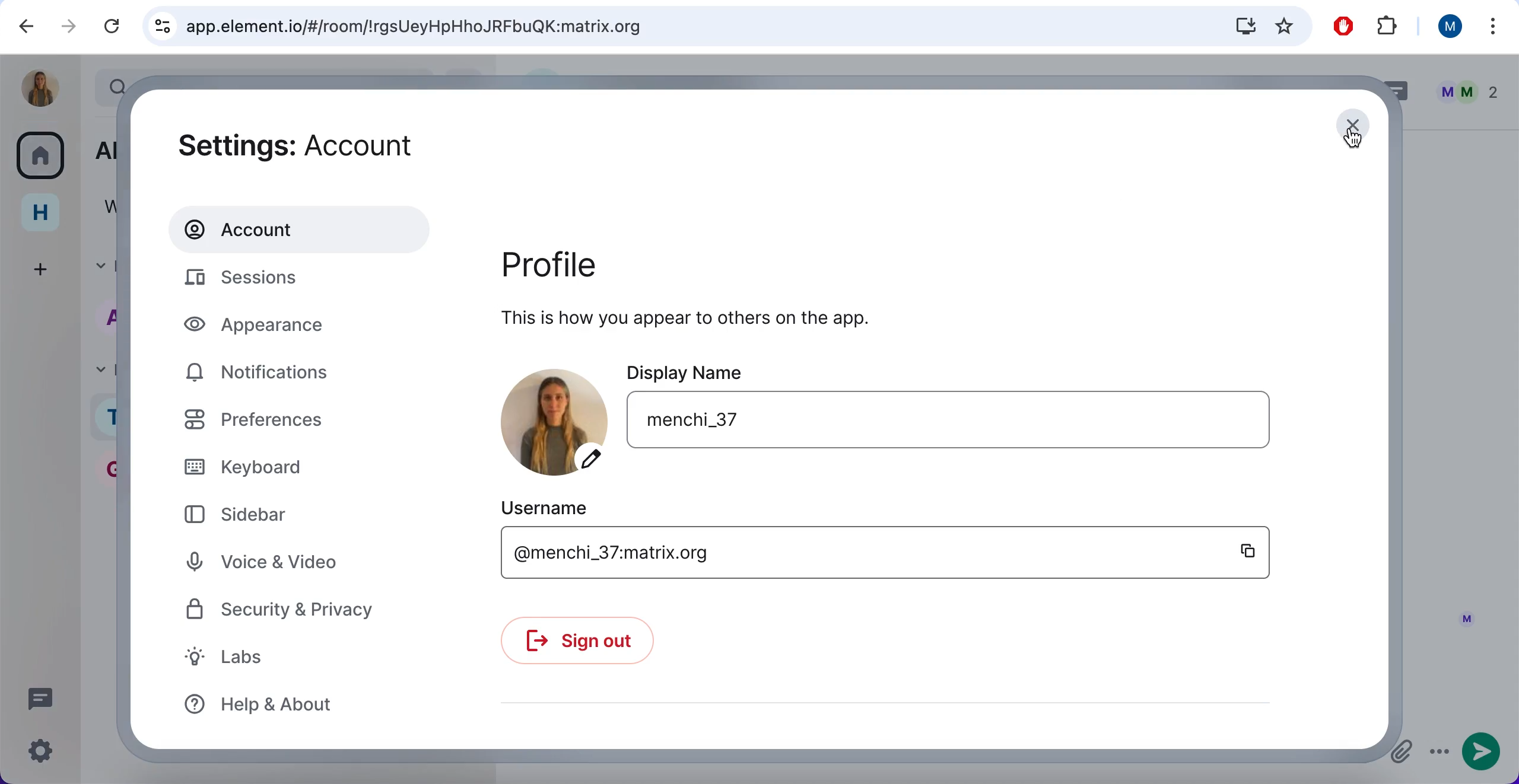 The width and height of the screenshot is (1519, 784). I want to click on all rooms, so click(39, 160).